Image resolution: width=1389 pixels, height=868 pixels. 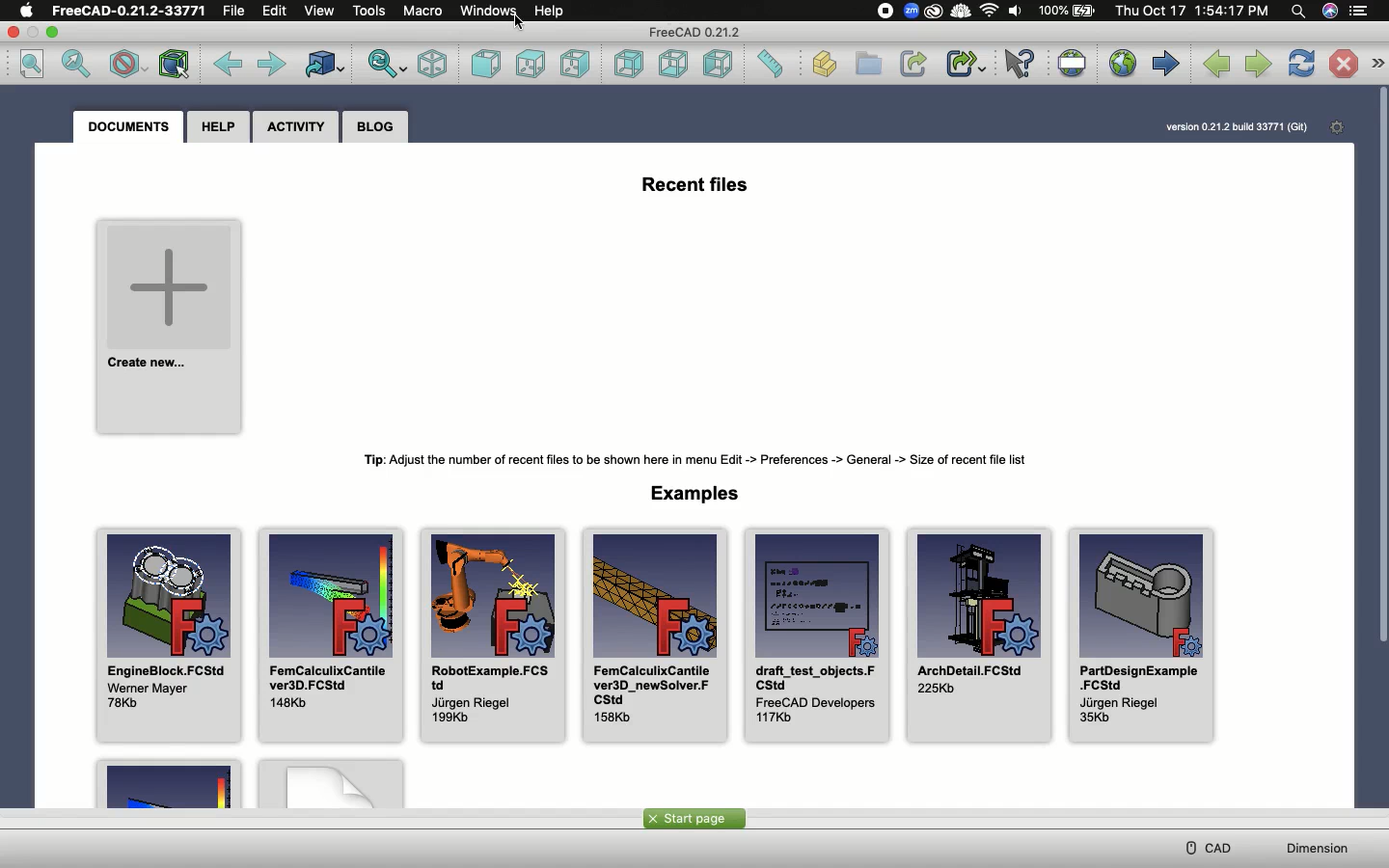 What do you see at coordinates (1215, 66) in the screenshot?
I see `Previous page` at bounding box center [1215, 66].